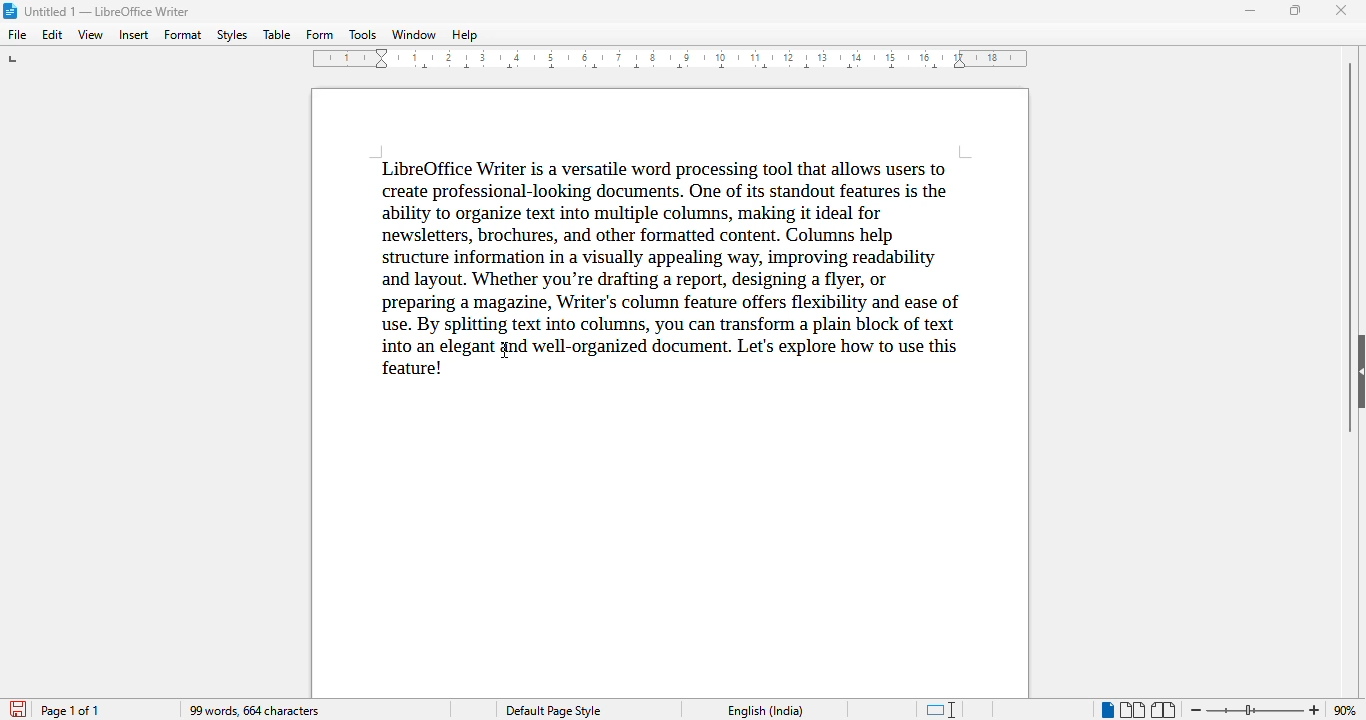  What do you see at coordinates (320, 35) in the screenshot?
I see `form` at bounding box center [320, 35].